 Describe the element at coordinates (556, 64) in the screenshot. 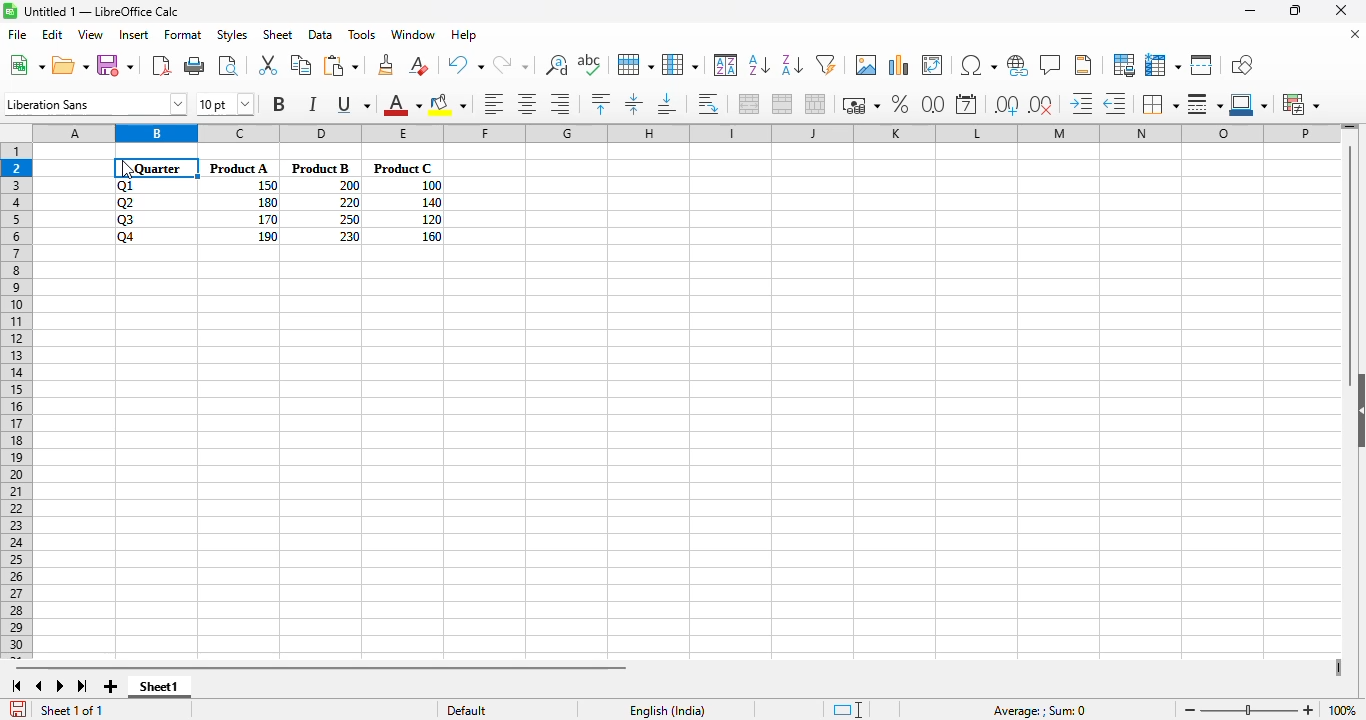

I see `find and replace` at that location.